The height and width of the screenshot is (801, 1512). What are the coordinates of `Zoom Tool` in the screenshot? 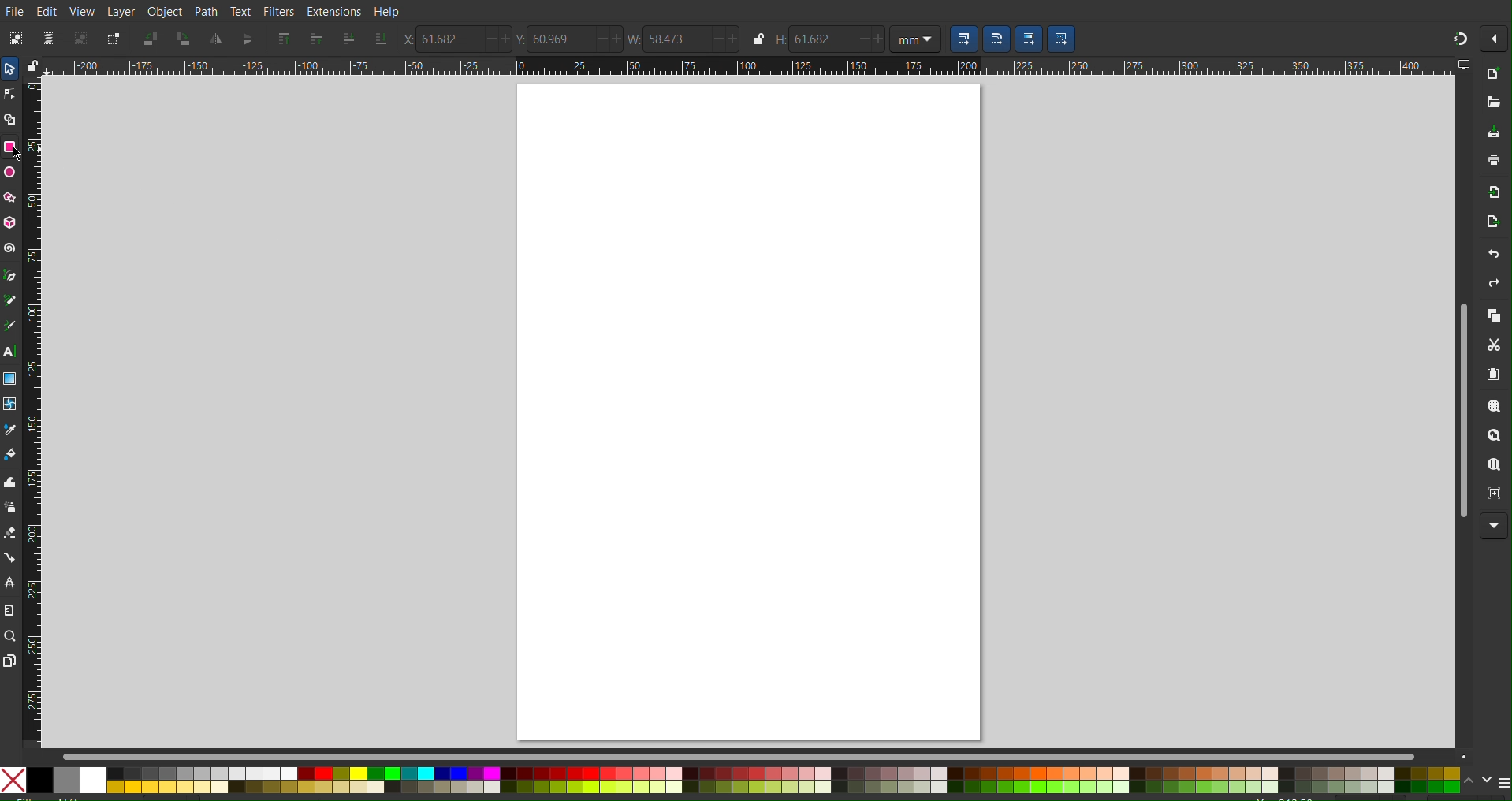 It's located at (9, 635).